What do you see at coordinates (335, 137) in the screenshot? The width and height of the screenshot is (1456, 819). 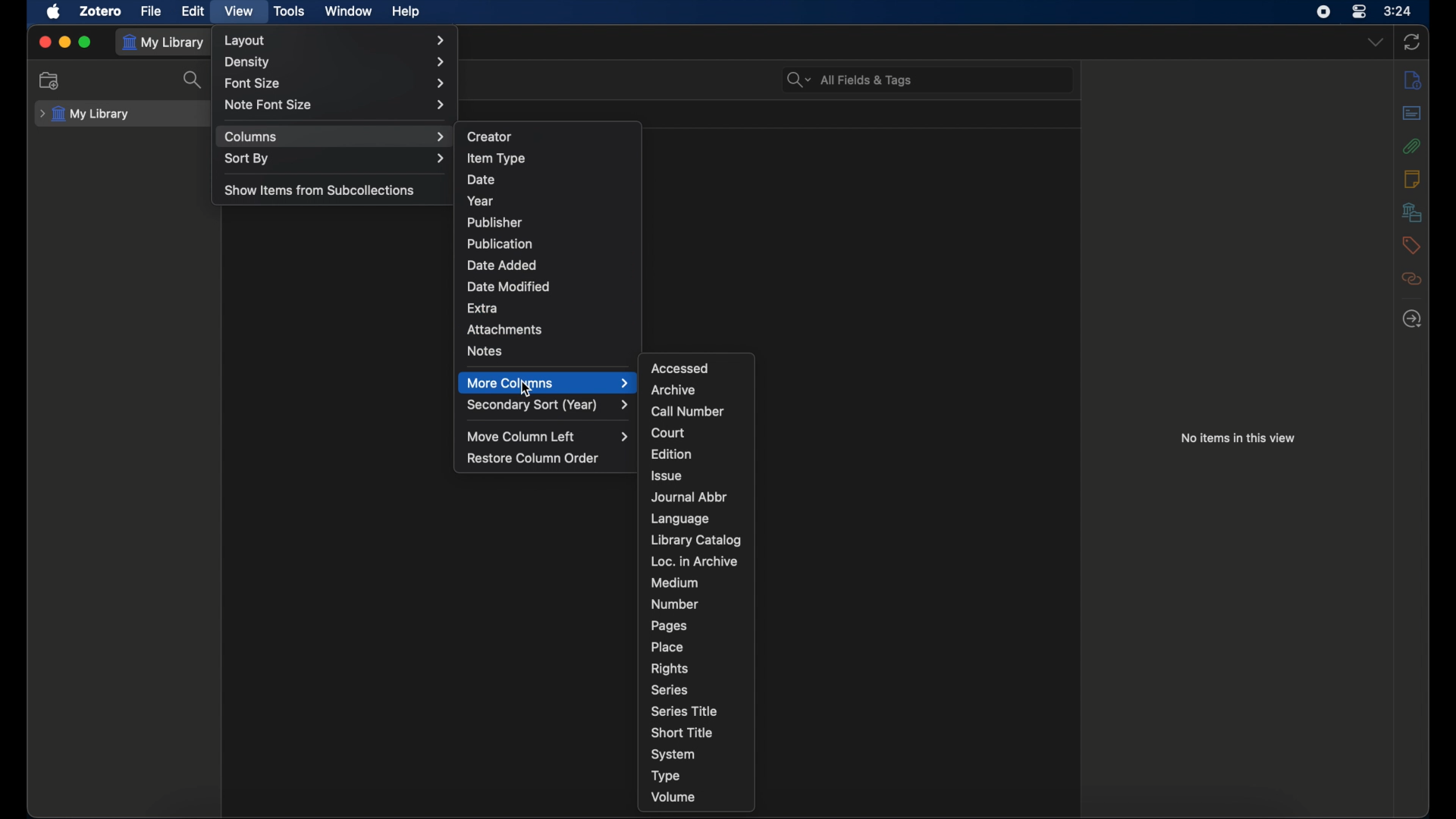 I see `columns` at bounding box center [335, 137].